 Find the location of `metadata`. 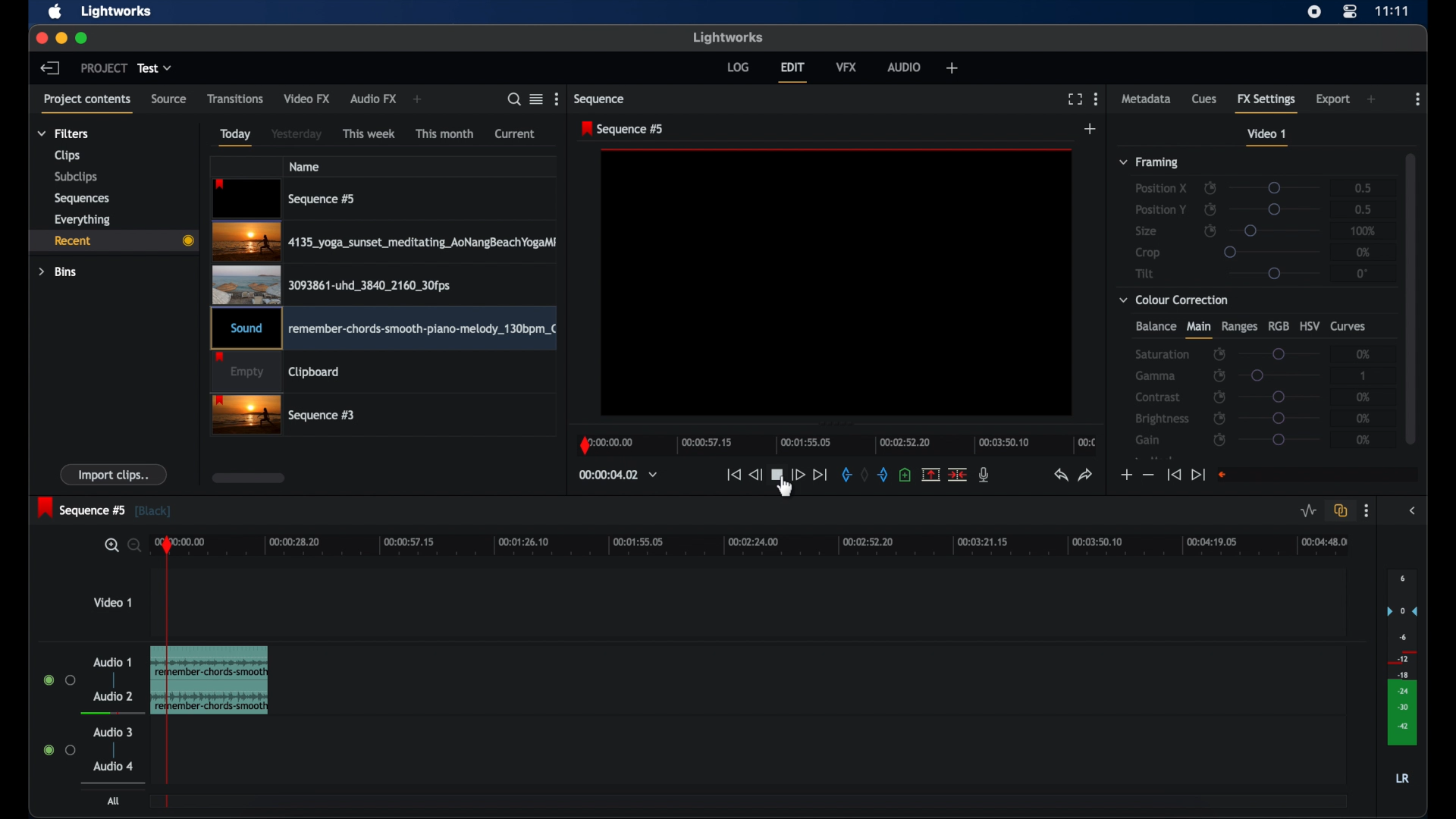

metadata is located at coordinates (1147, 98).